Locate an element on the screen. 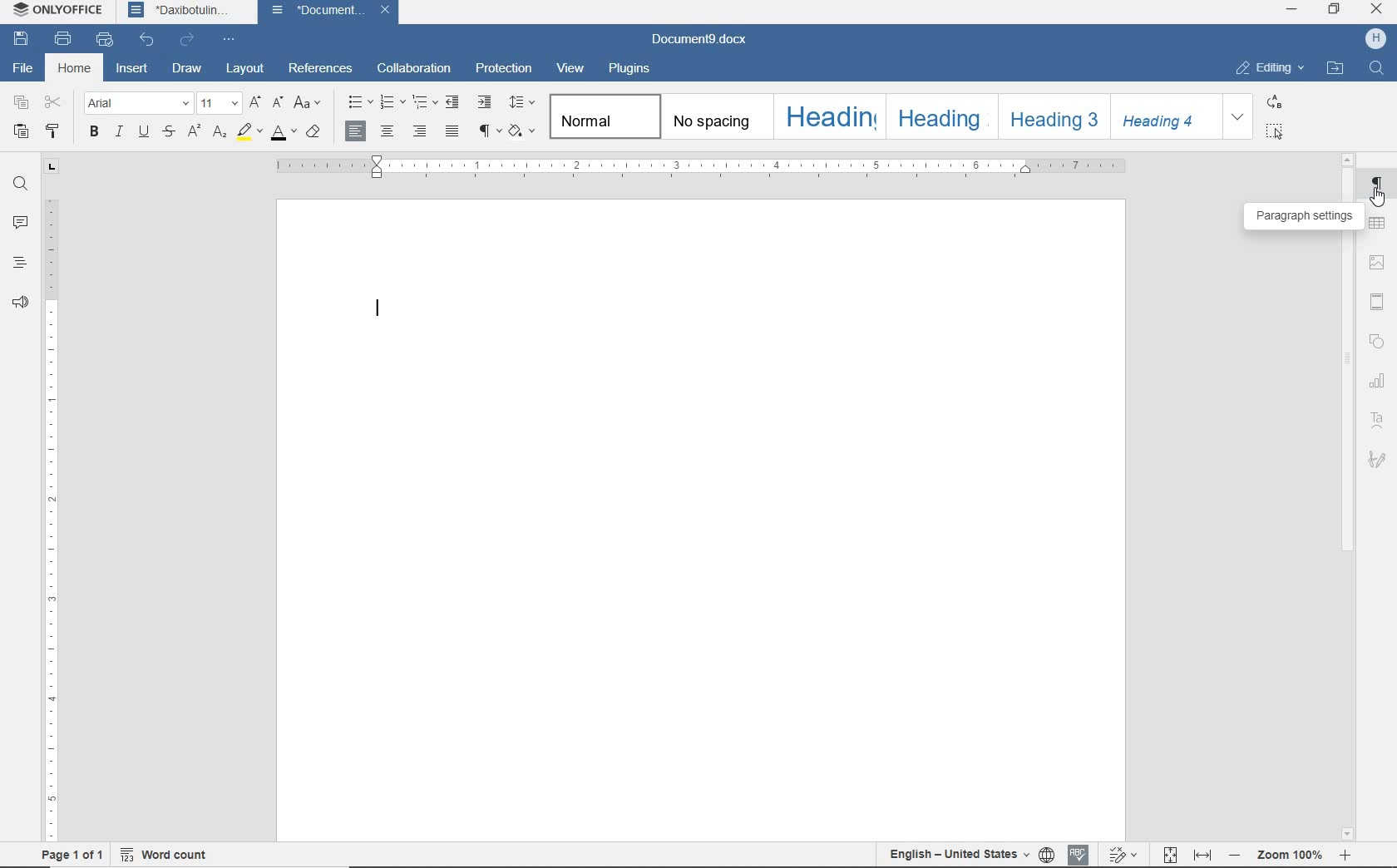 The image size is (1397, 868). signature is located at coordinates (1377, 462).